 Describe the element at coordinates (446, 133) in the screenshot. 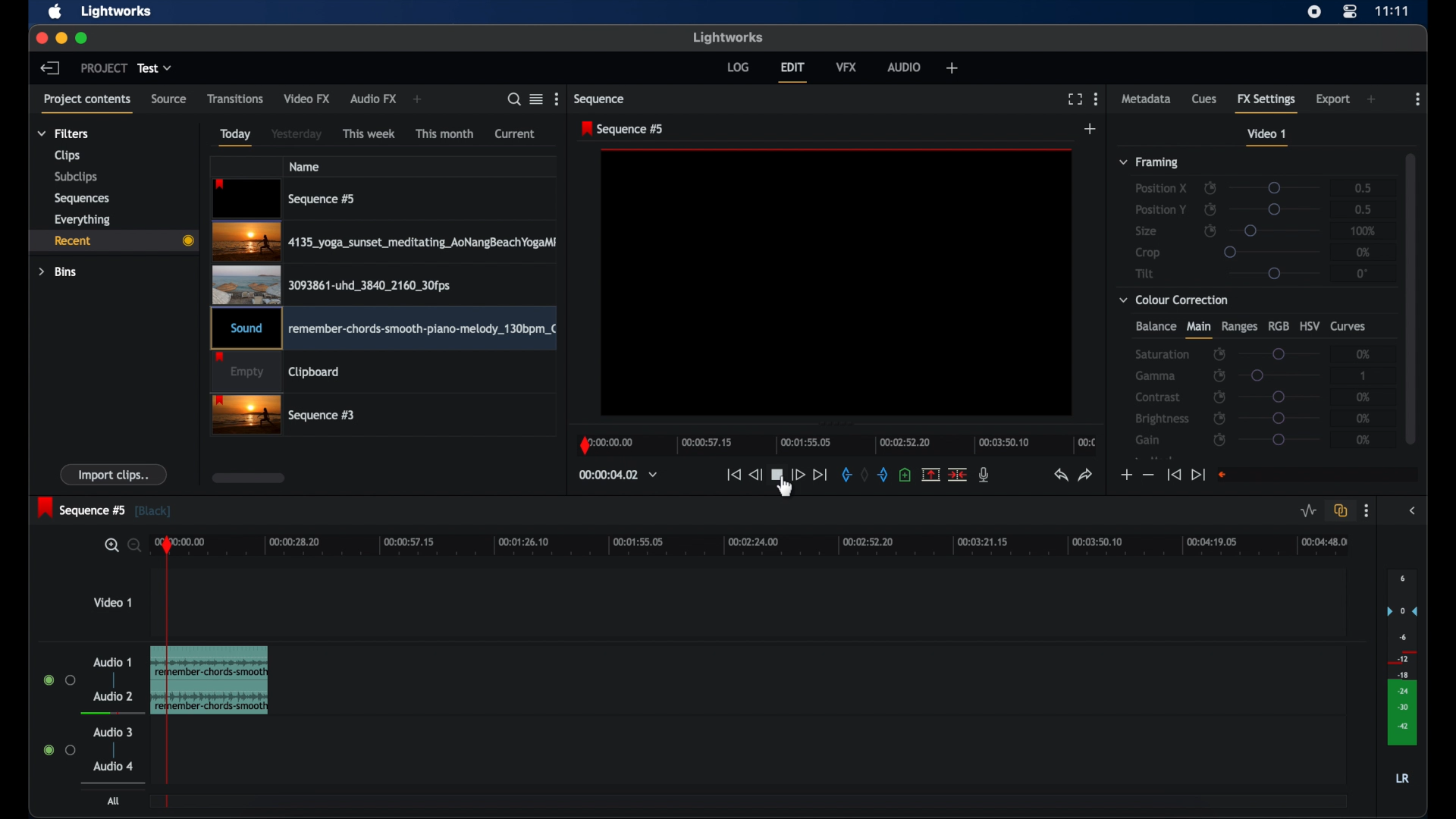

I see `this month` at that location.